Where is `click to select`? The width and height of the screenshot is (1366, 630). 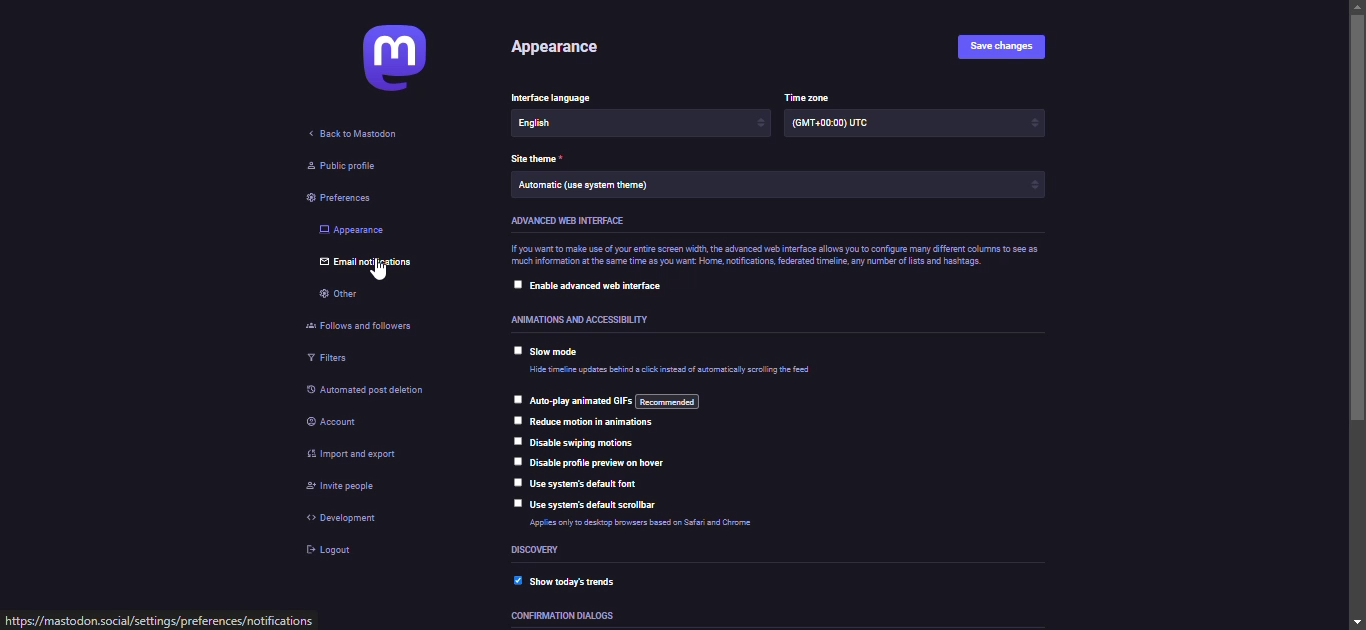
click to select is located at coordinates (512, 285).